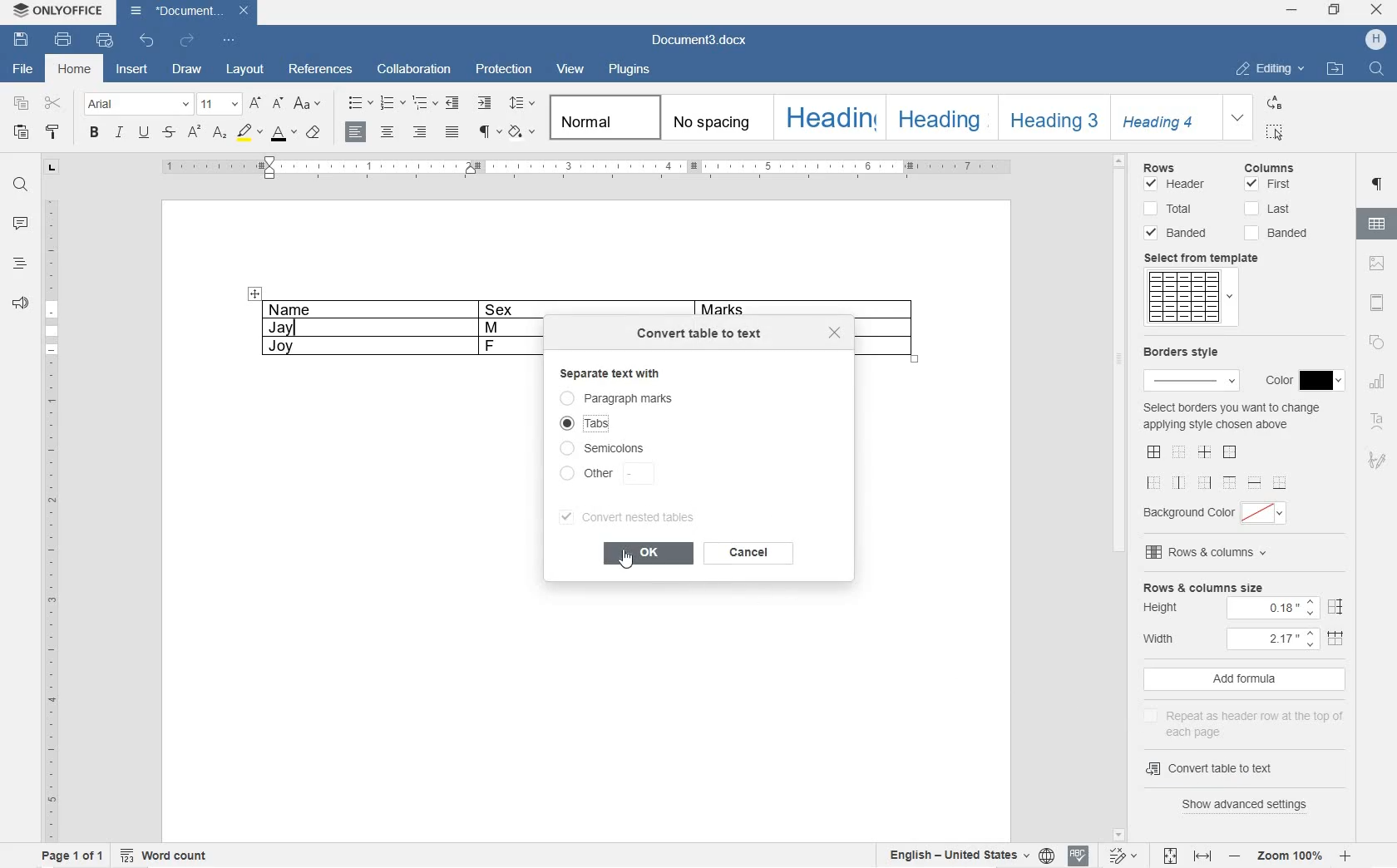 The height and width of the screenshot is (868, 1397). I want to click on set inner lines only, so click(1203, 452).